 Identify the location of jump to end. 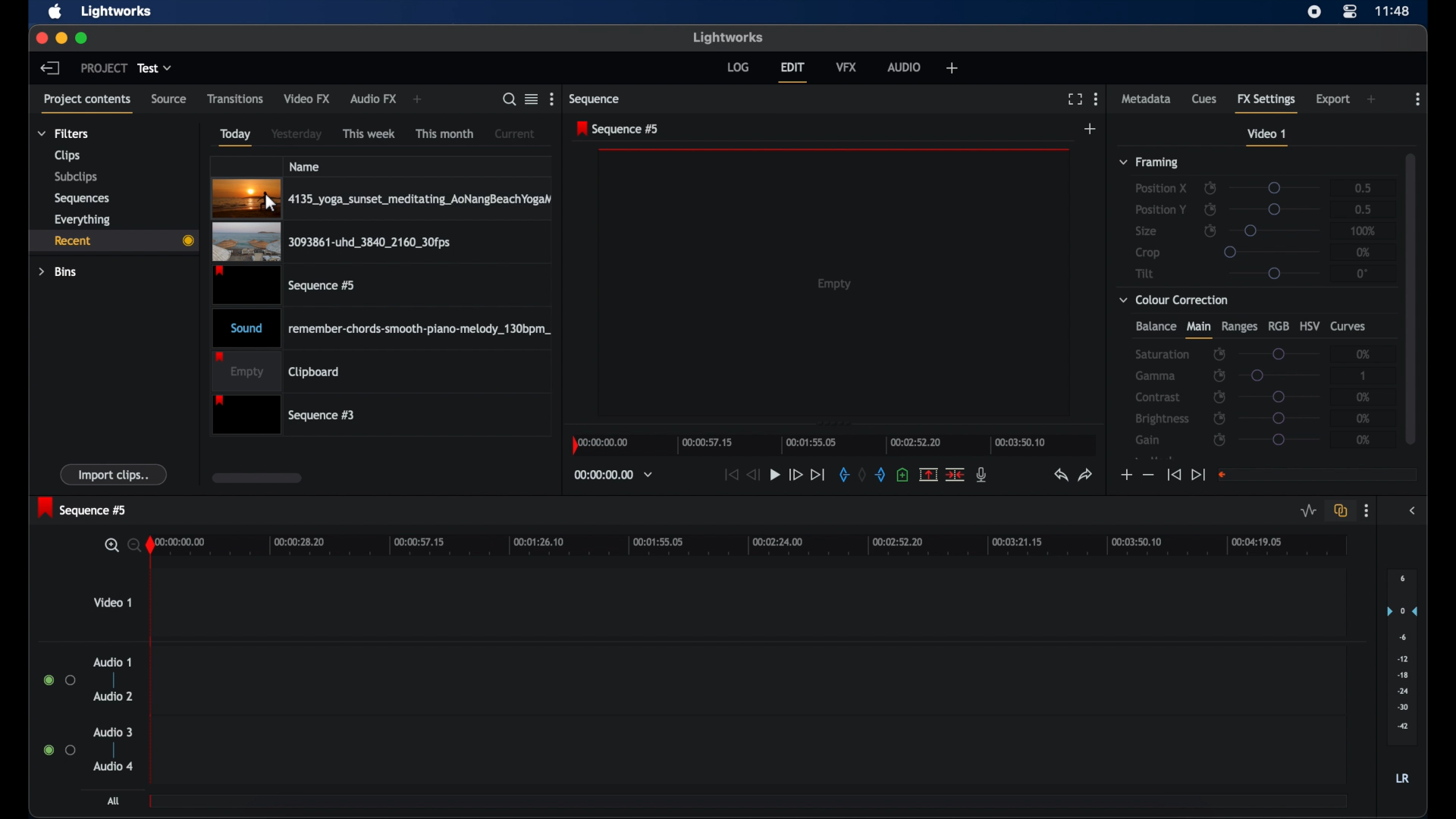
(818, 474).